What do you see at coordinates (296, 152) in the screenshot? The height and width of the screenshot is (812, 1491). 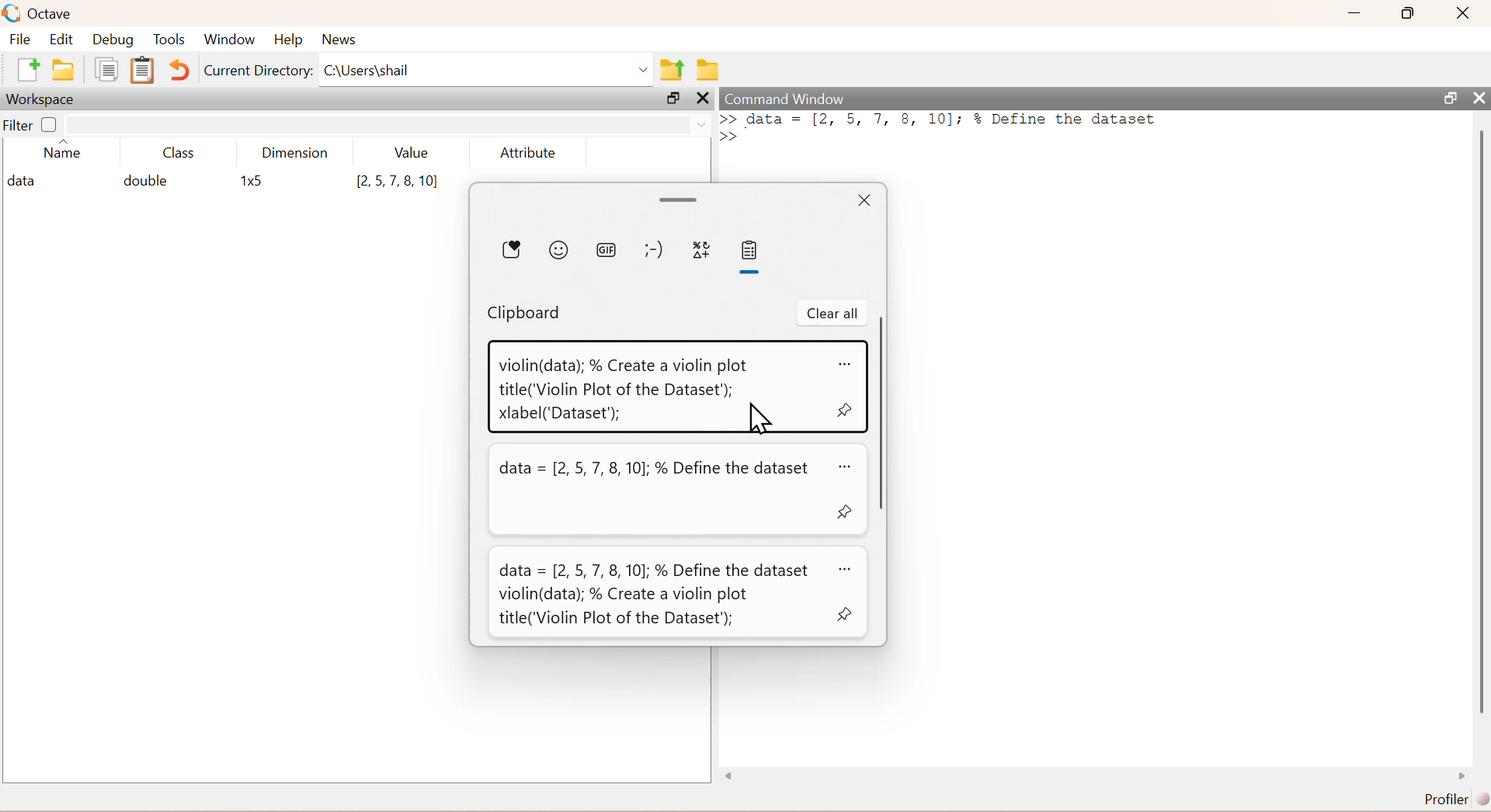 I see `dimensions` at bounding box center [296, 152].